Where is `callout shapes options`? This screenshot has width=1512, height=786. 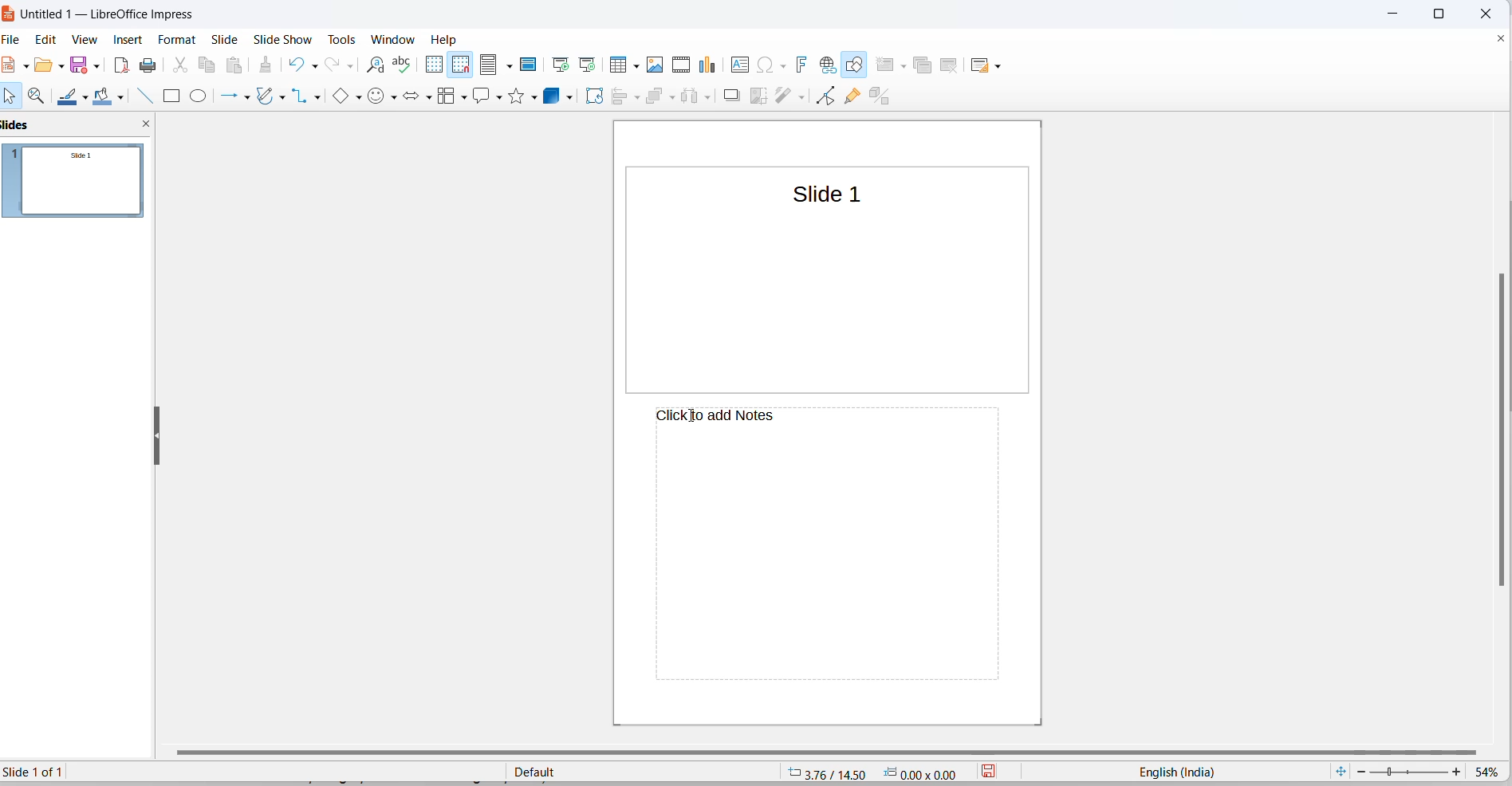 callout shapes options is located at coordinates (498, 99).